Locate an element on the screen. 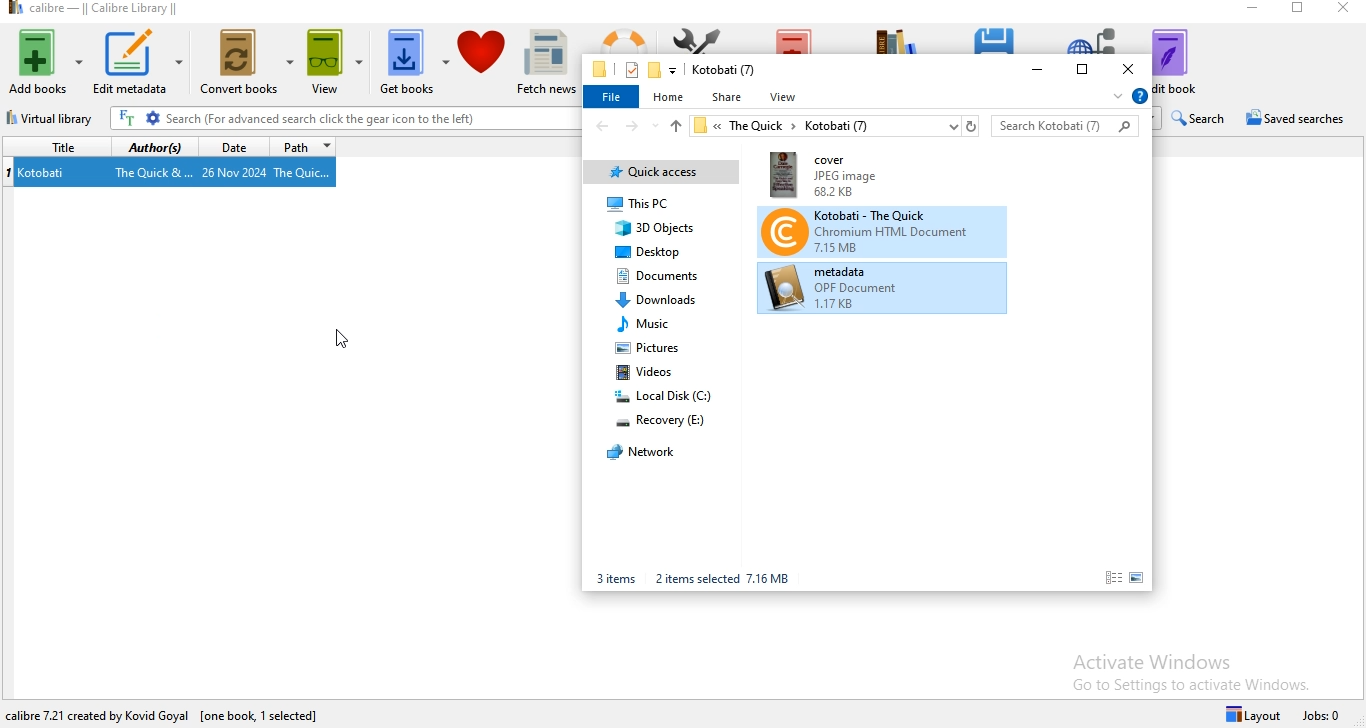  forward is located at coordinates (632, 126).